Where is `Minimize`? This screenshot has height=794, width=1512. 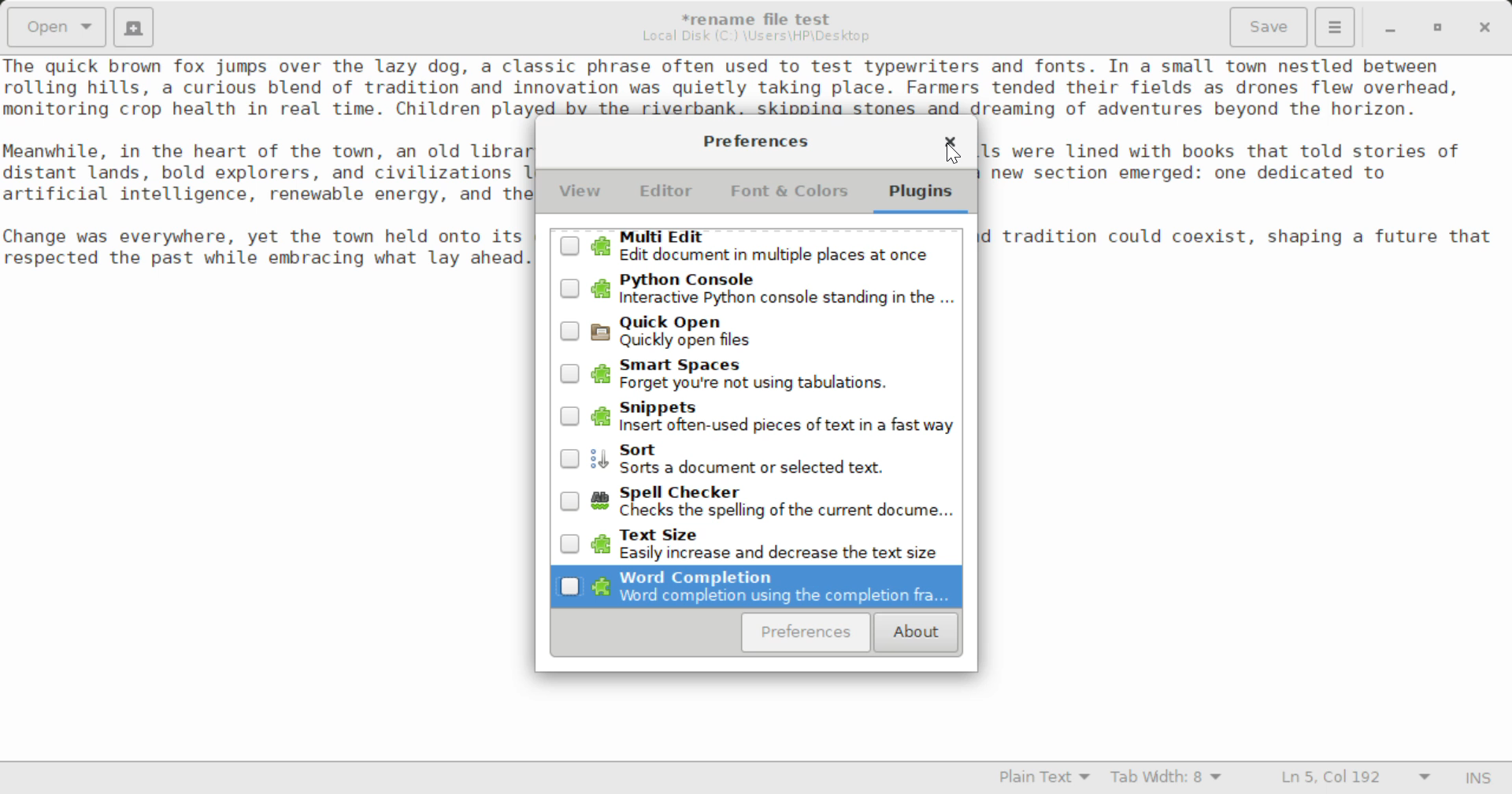 Minimize is located at coordinates (1438, 28).